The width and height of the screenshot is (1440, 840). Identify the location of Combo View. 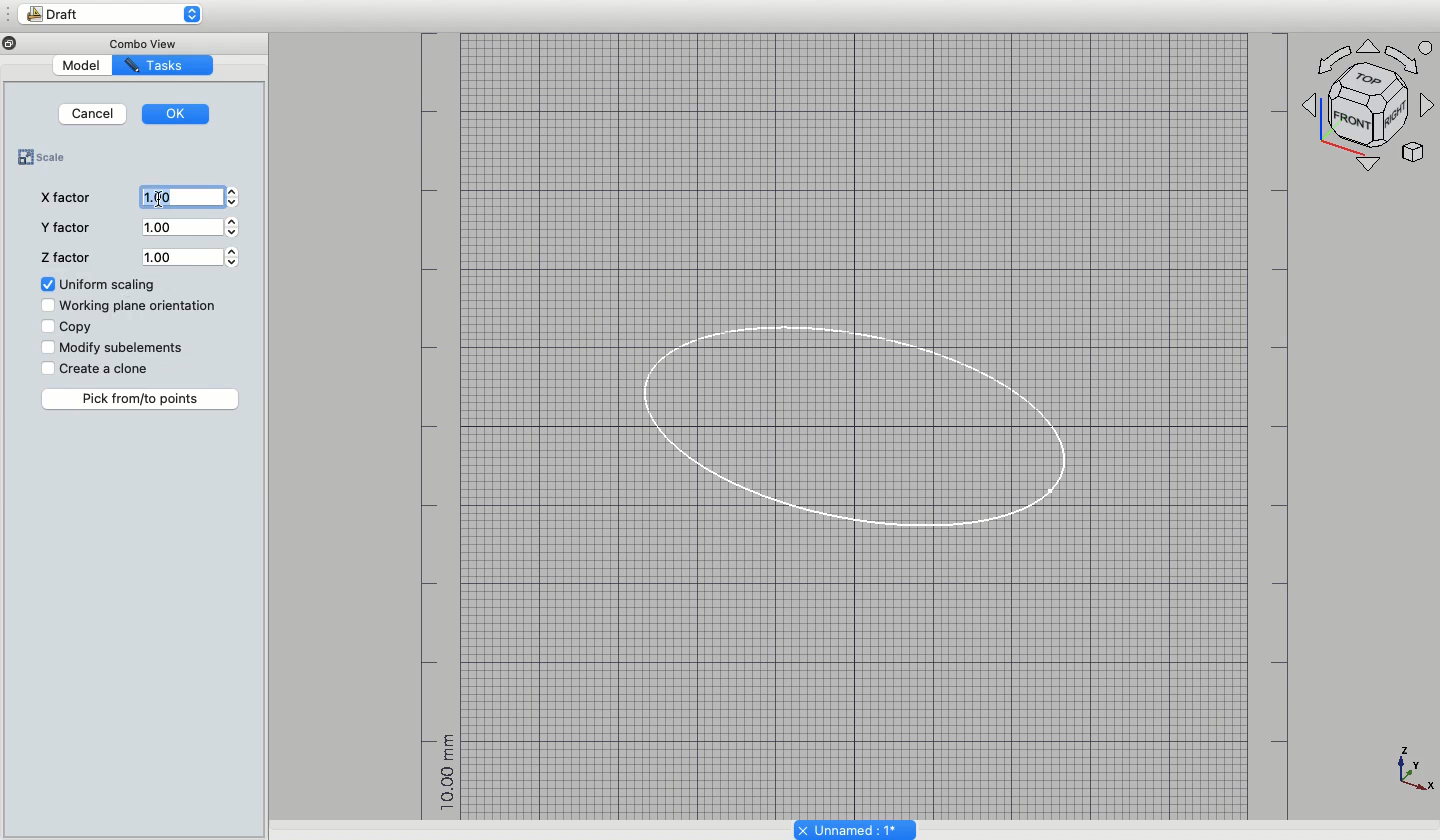
(149, 41).